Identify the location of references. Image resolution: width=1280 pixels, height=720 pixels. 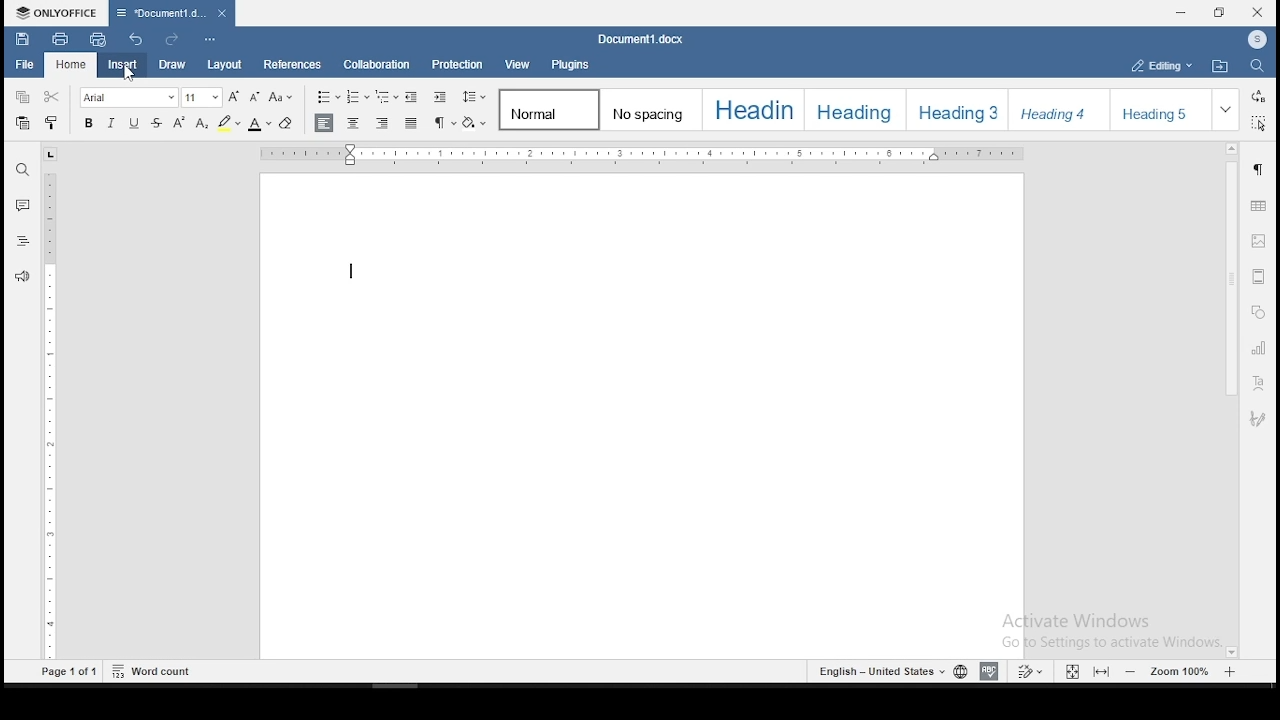
(291, 65).